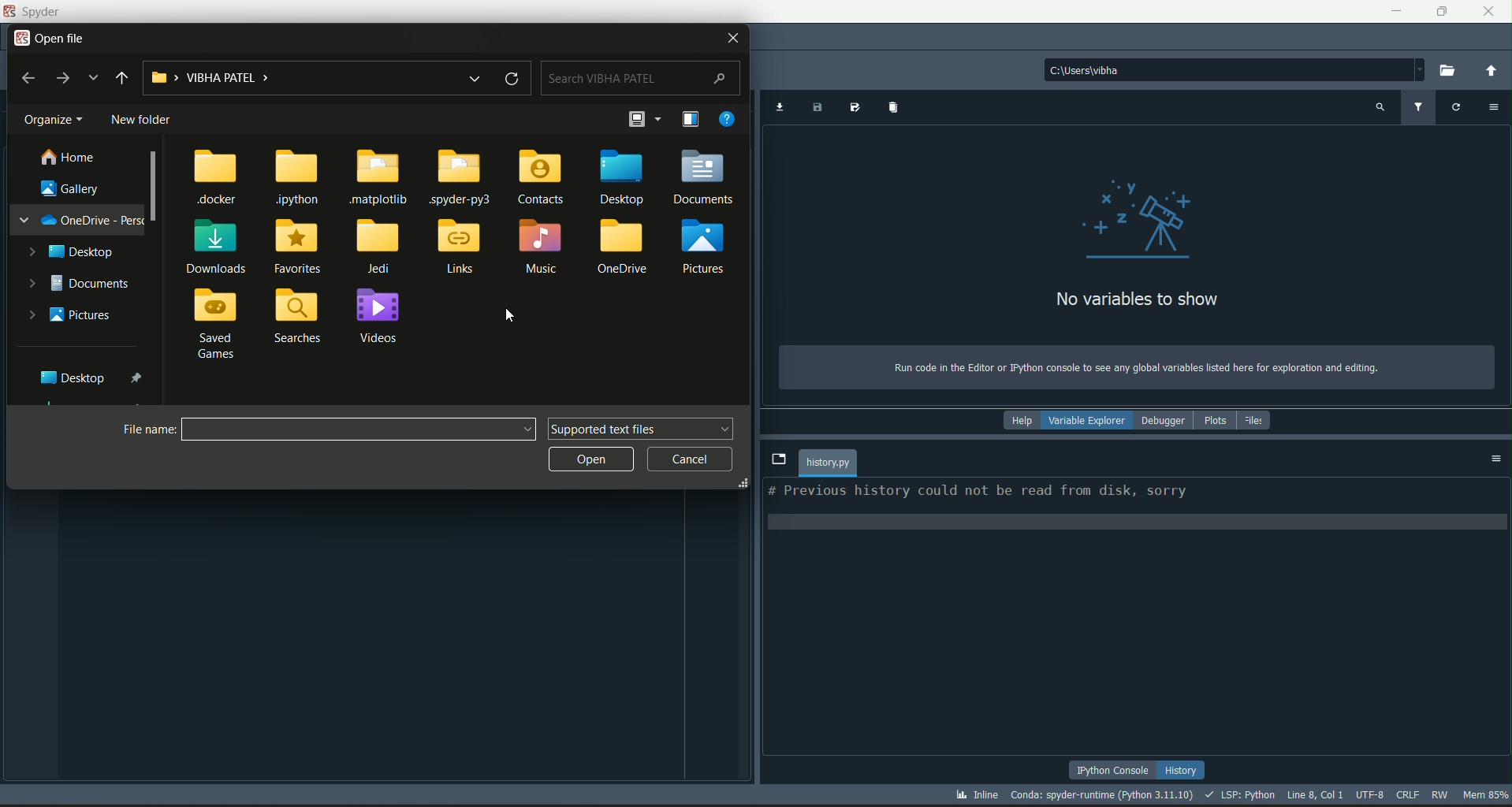  I want to click on logo and title, so click(35, 12).